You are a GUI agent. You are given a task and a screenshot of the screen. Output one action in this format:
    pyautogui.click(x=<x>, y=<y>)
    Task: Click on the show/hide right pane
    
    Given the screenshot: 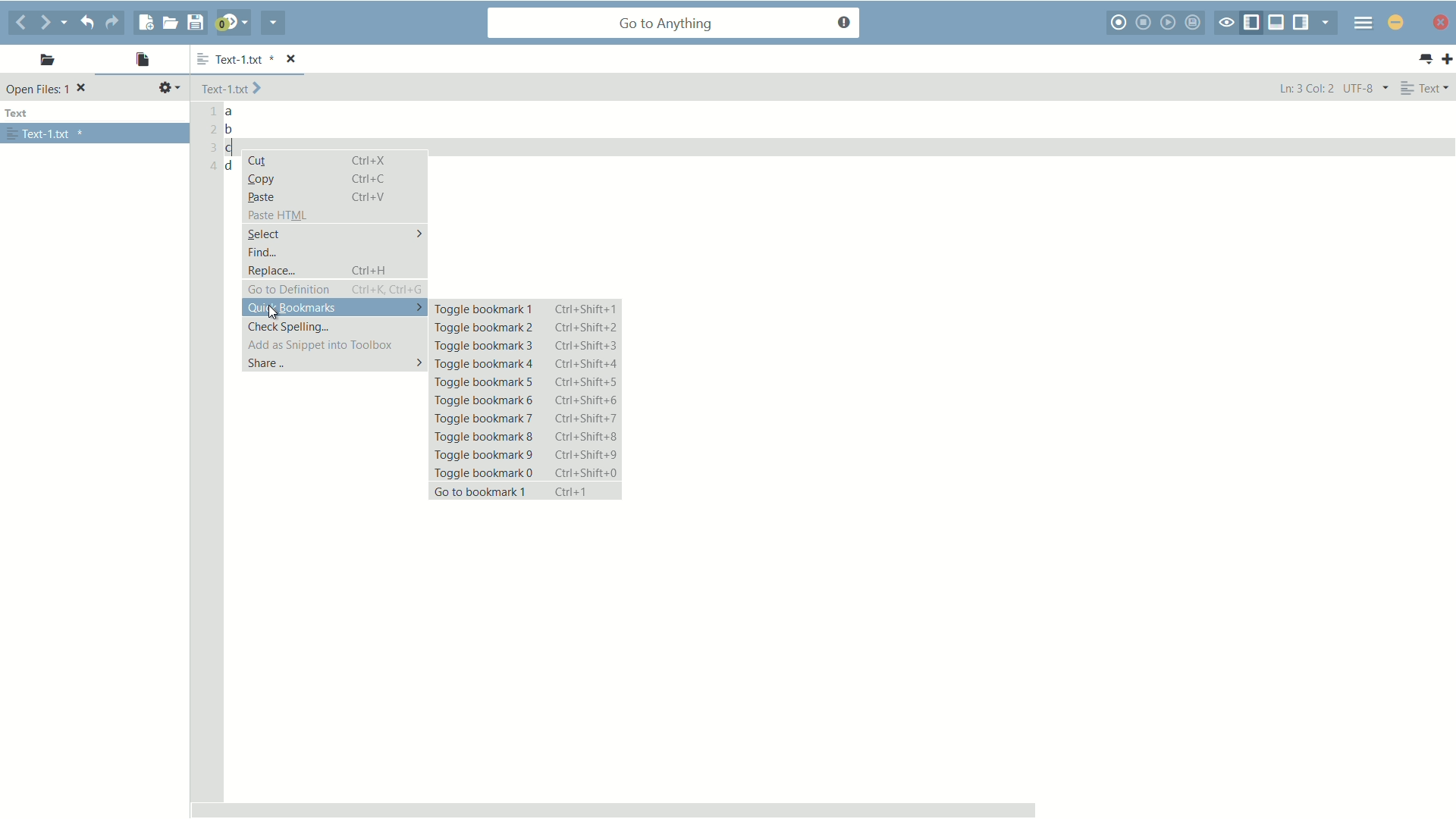 What is the action you would take?
    pyautogui.click(x=1302, y=22)
    